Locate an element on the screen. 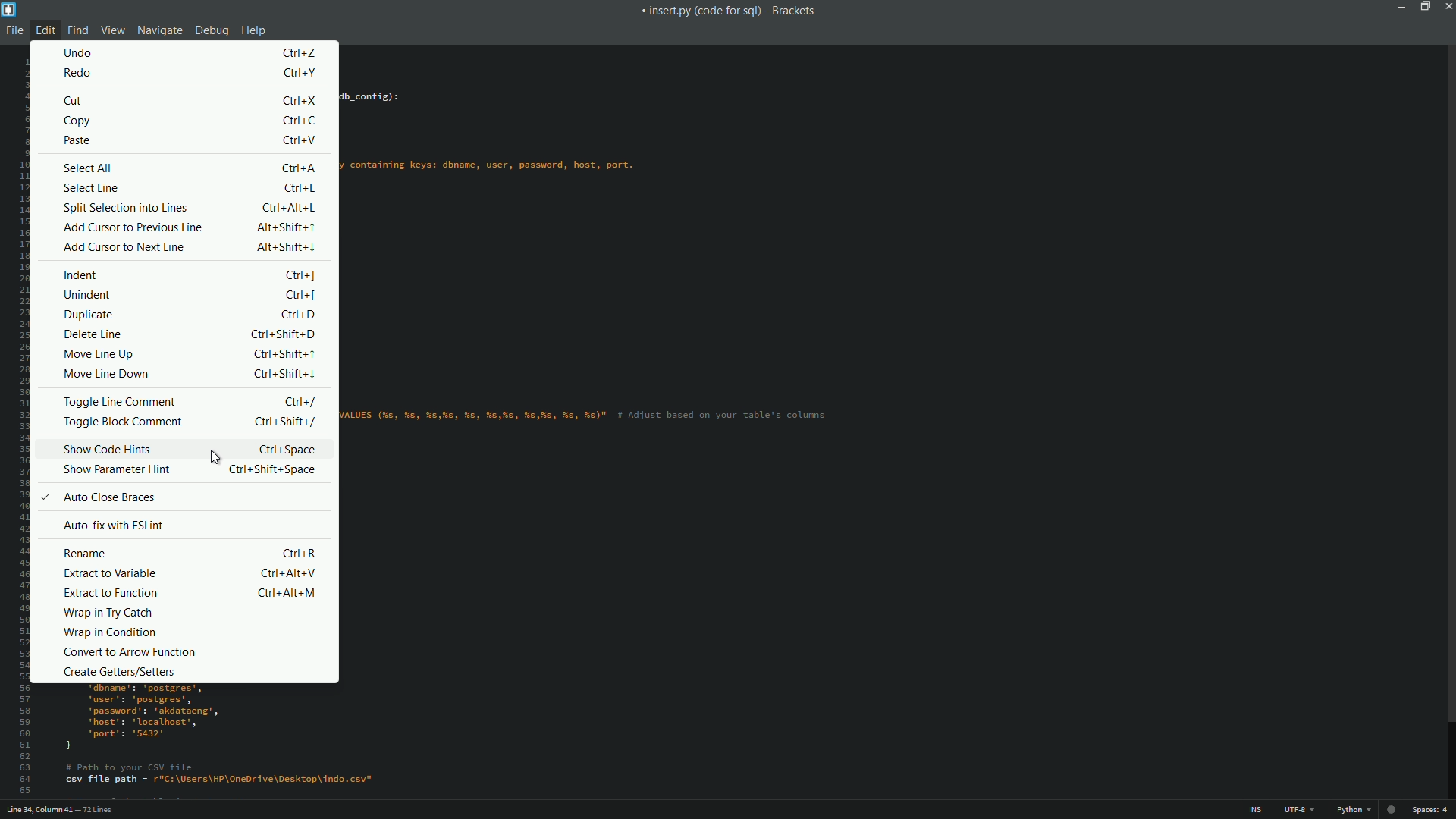  keyboard shortcut is located at coordinates (299, 52).